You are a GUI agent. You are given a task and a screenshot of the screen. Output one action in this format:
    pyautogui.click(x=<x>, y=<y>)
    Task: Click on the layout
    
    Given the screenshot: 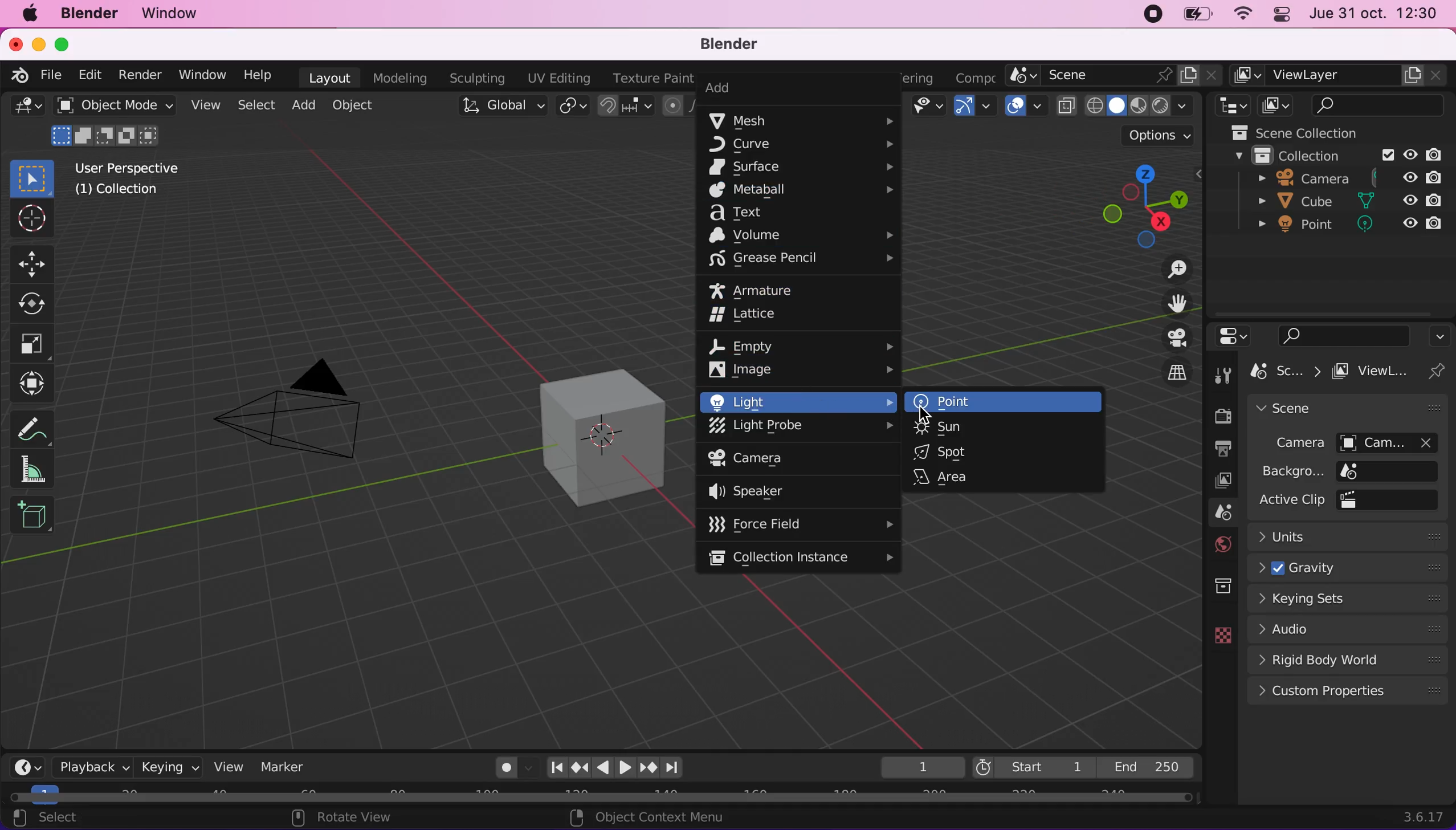 What is the action you would take?
    pyautogui.click(x=331, y=77)
    